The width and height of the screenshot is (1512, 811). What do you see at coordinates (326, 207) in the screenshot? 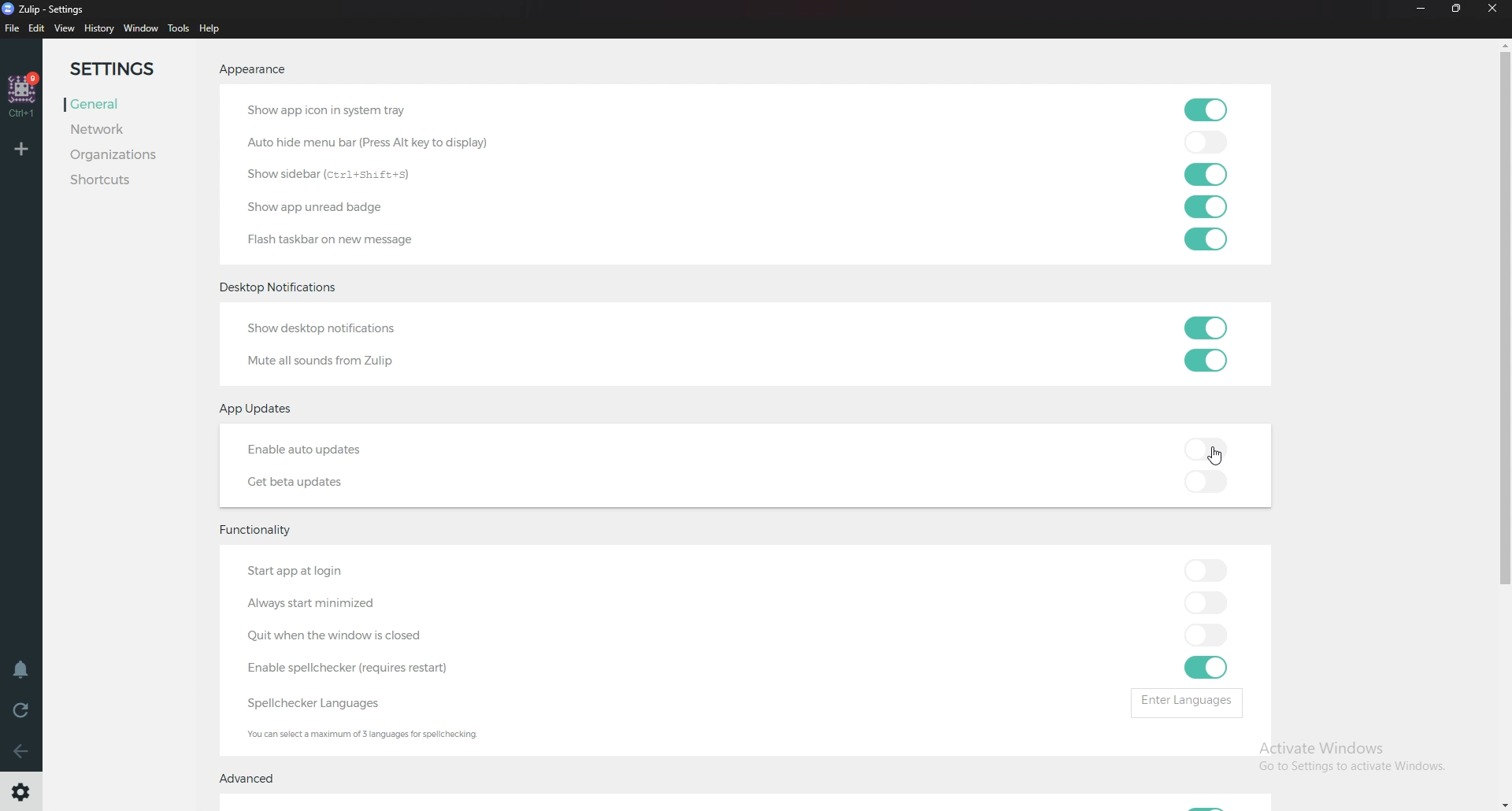
I see `show app unread badge` at bounding box center [326, 207].